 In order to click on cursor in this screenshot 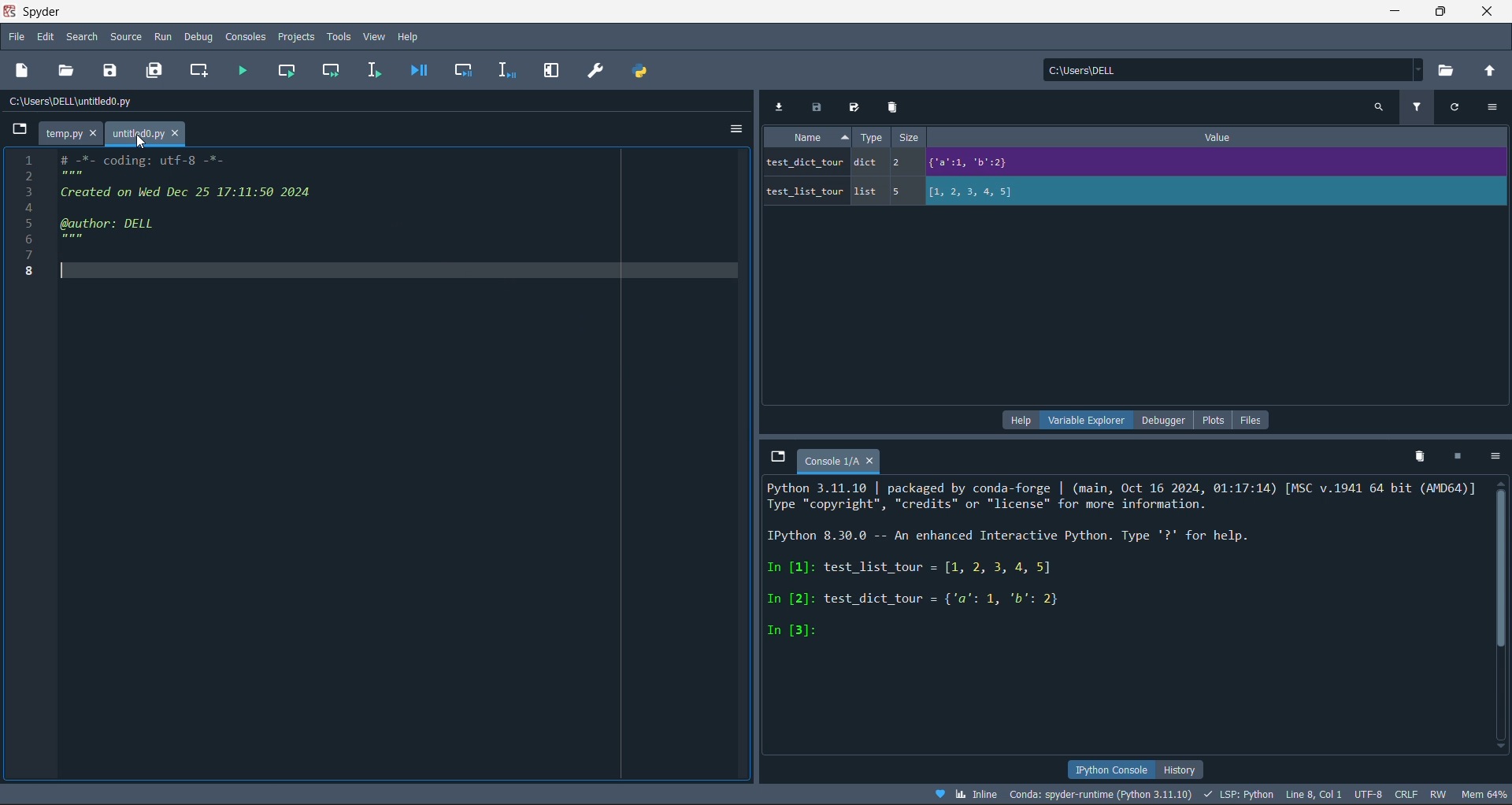, I will do `click(143, 147)`.